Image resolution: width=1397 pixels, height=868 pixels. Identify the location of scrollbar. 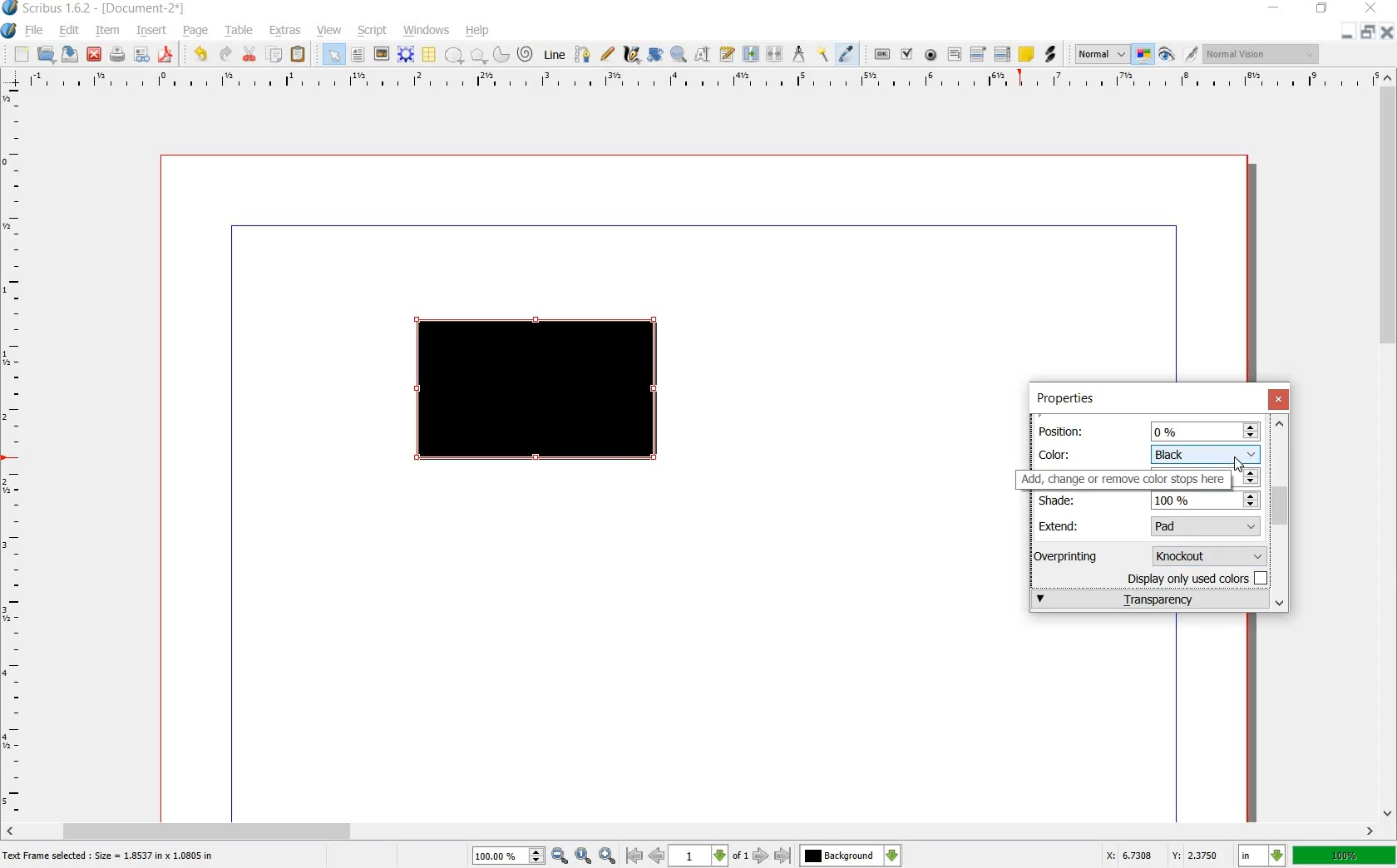
(1281, 512).